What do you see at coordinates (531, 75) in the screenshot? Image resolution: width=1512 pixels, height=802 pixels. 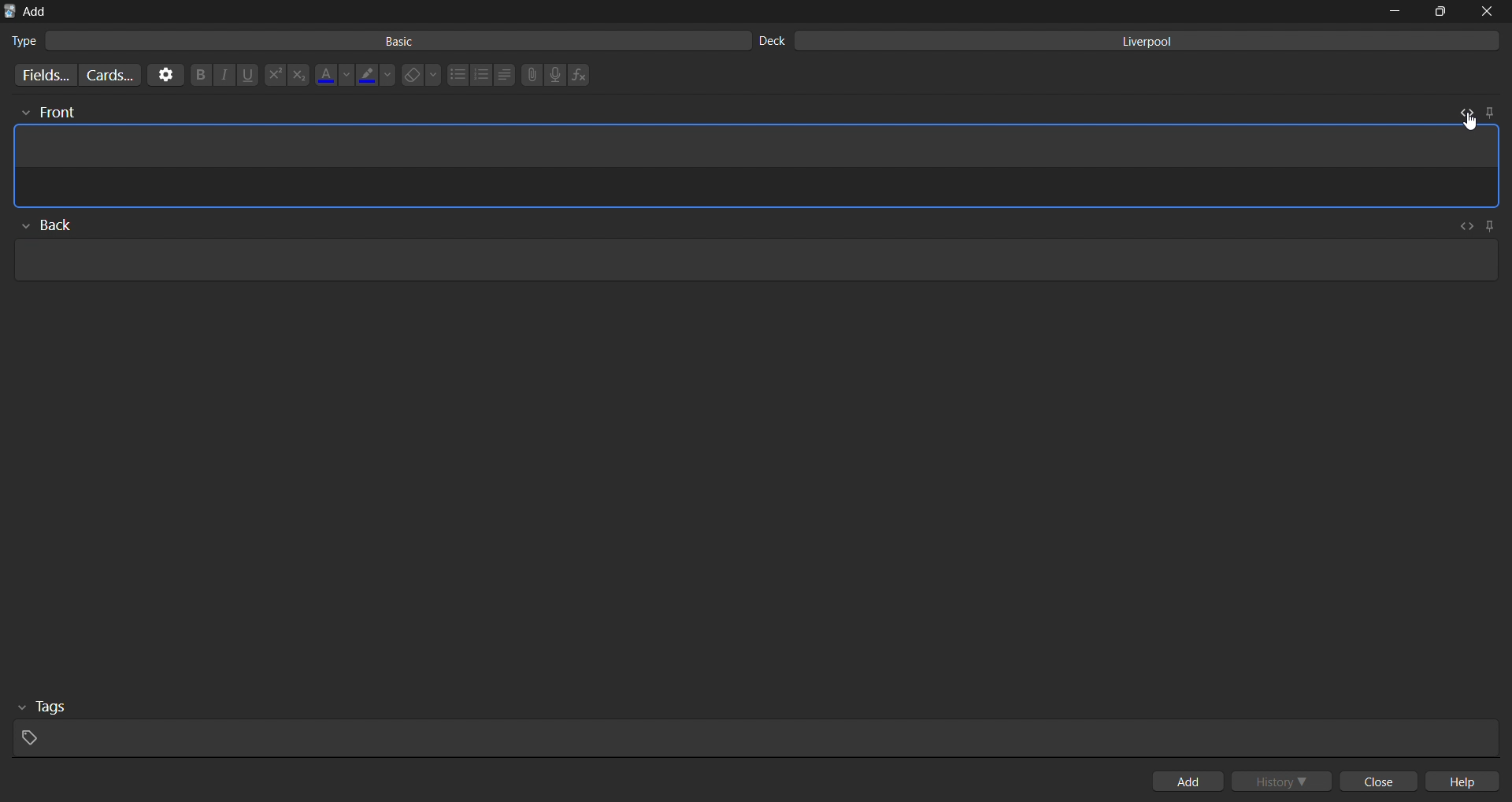 I see `attach files` at bounding box center [531, 75].